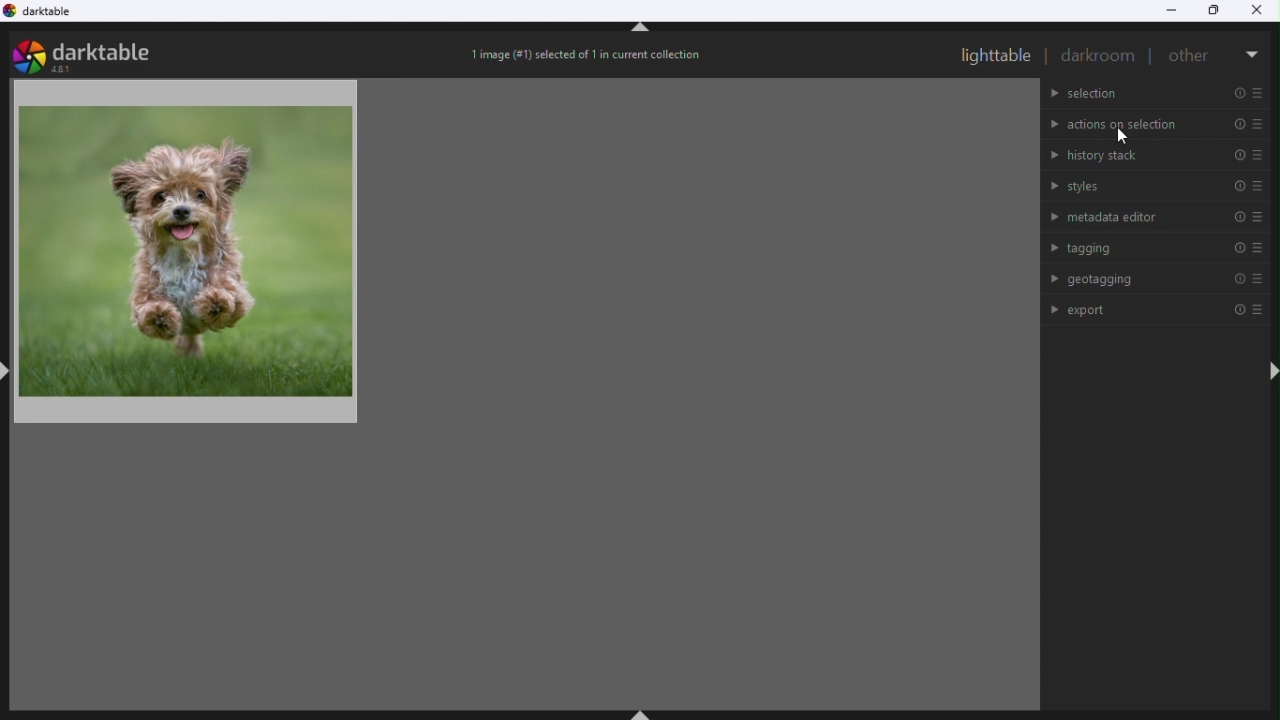  What do you see at coordinates (1272, 372) in the screenshot?
I see `shift+ctrl+r` at bounding box center [1272, 372].